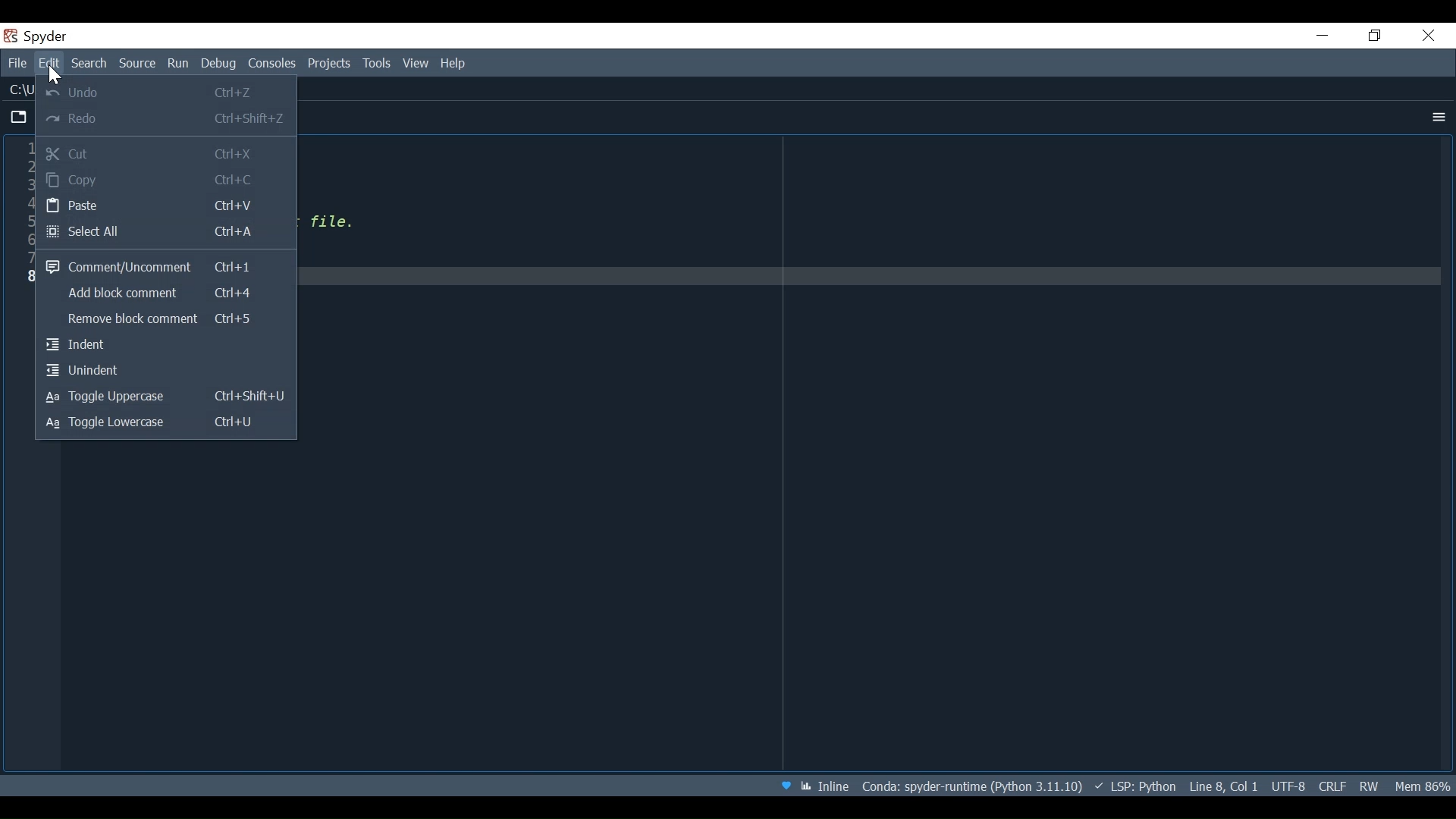 The width and height of the screenshot is (1456, 819). Describe the element at coordinates (253, 120) in the screenshot. I see `Ctrl+Shift+Z` at that location.